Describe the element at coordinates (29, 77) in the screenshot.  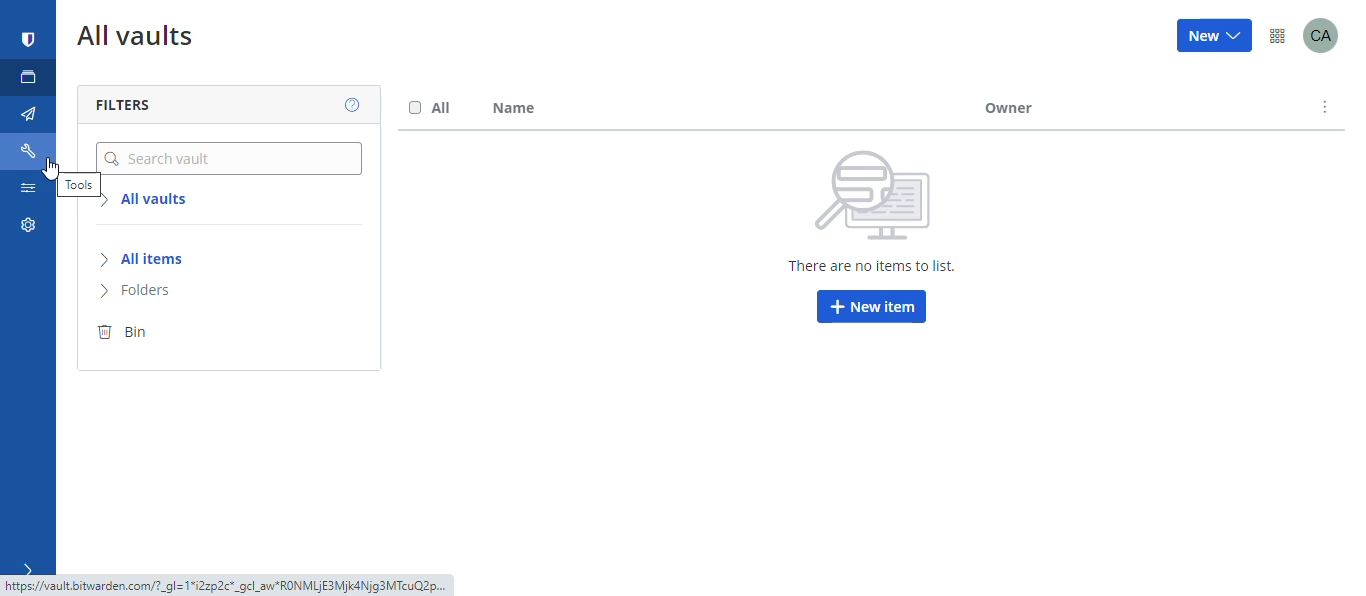
I see `new tab` at that location.